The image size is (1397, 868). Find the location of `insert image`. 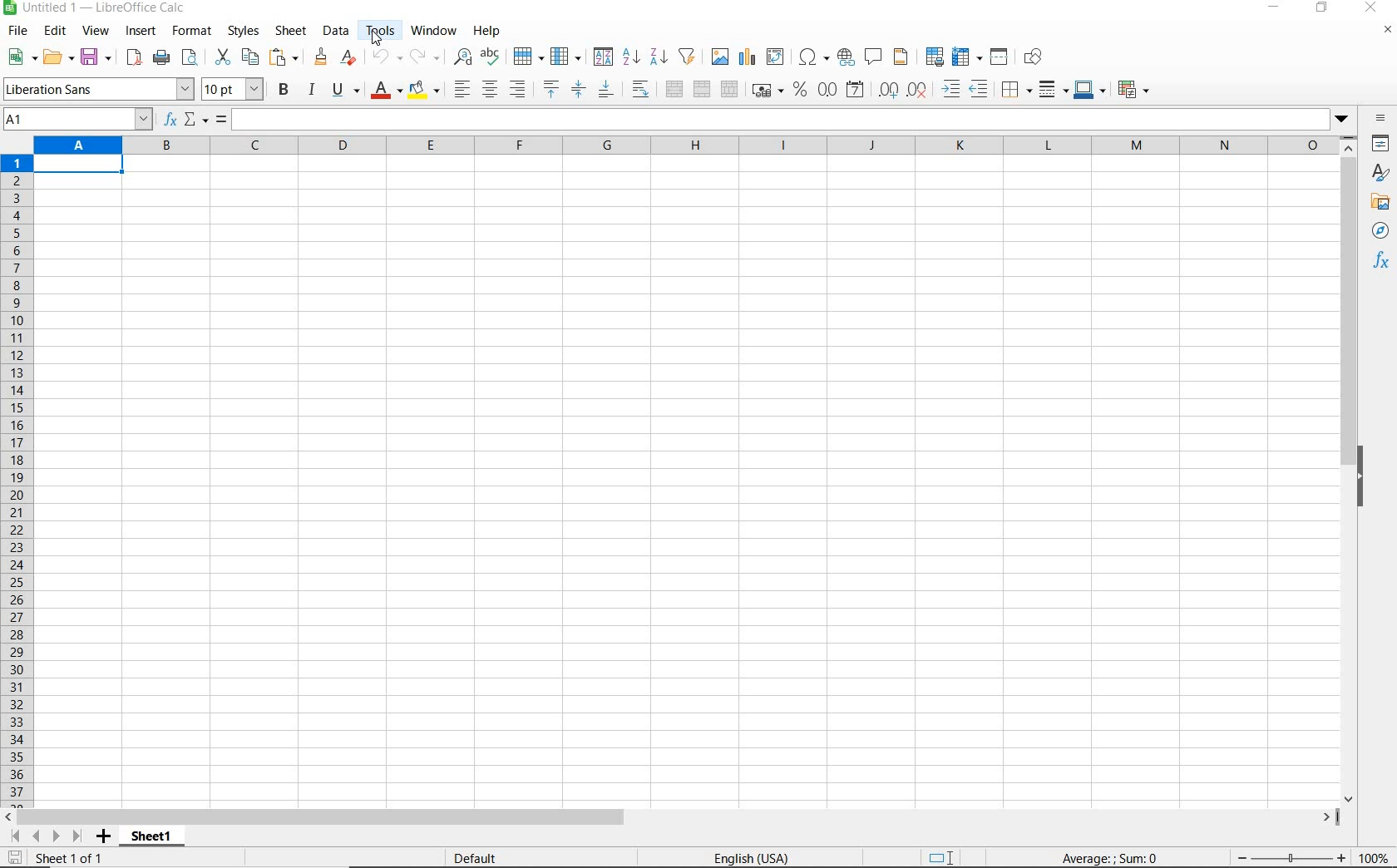

insert image is located at coordinates (718, 56).